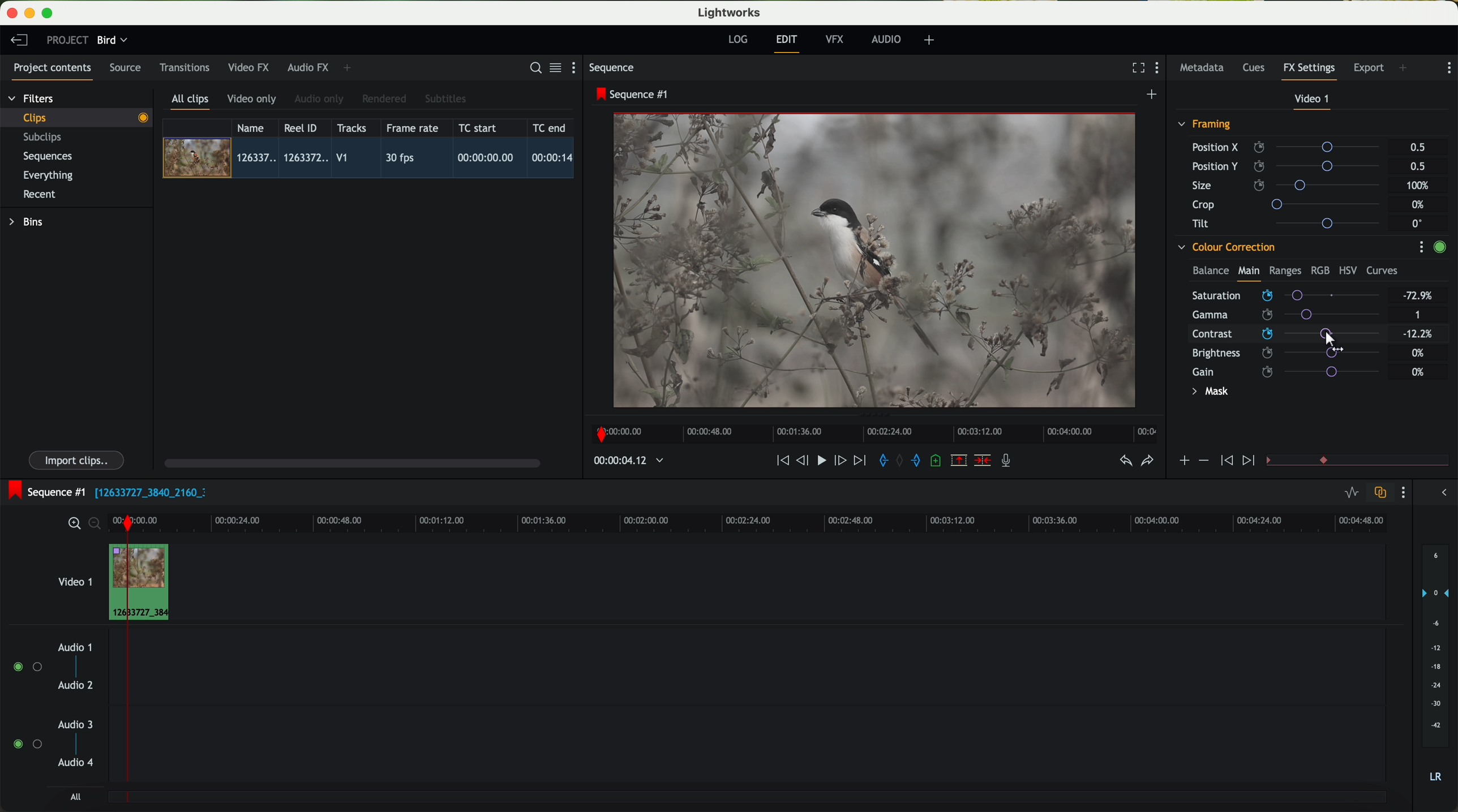 This screenshot has width=1458, height=812. Describe the element at coordinates (1402, 492) in the screenshot. I see `show settings menu` at that location.